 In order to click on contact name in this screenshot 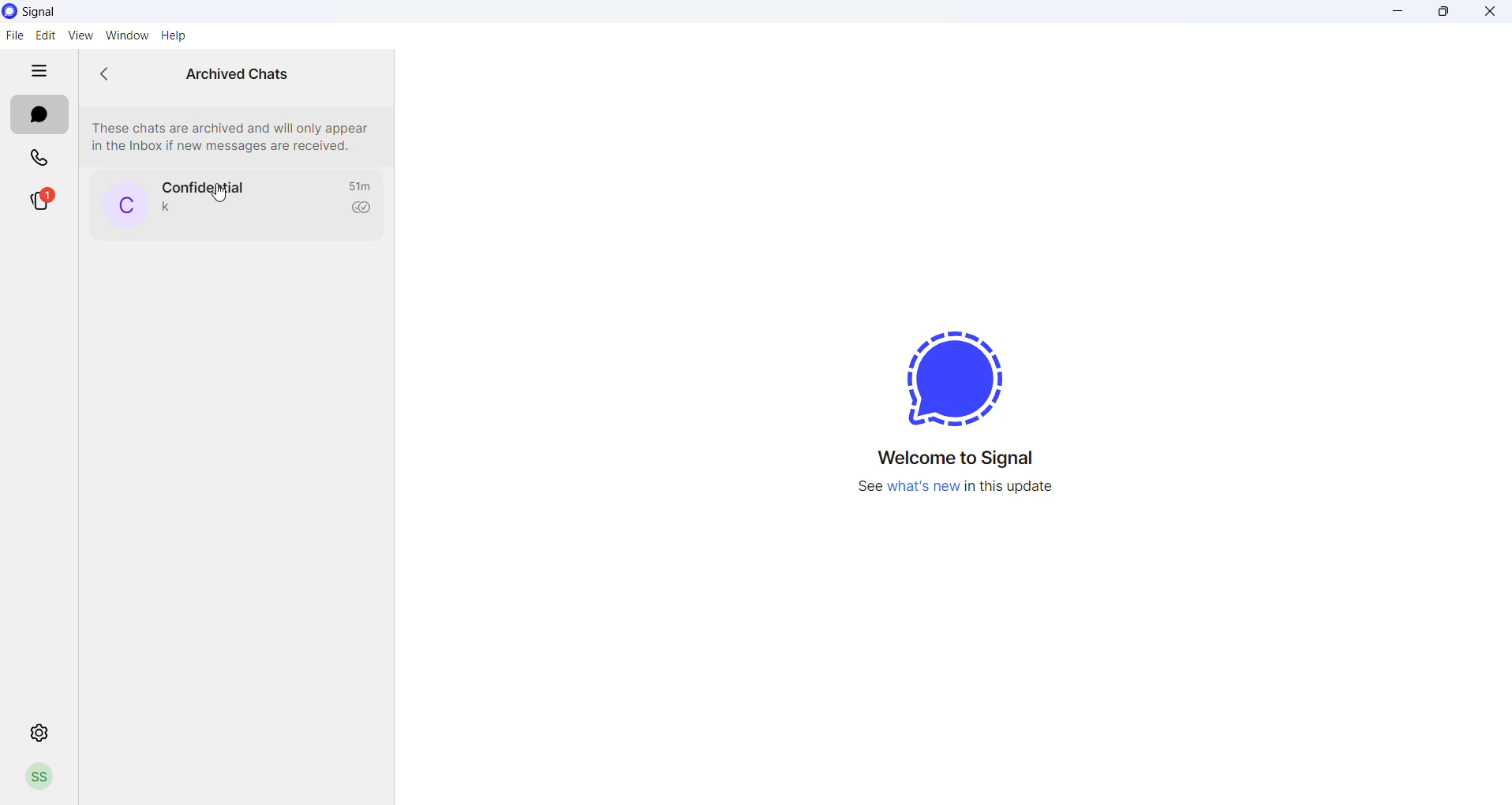, I will do `click(202, 183)`.